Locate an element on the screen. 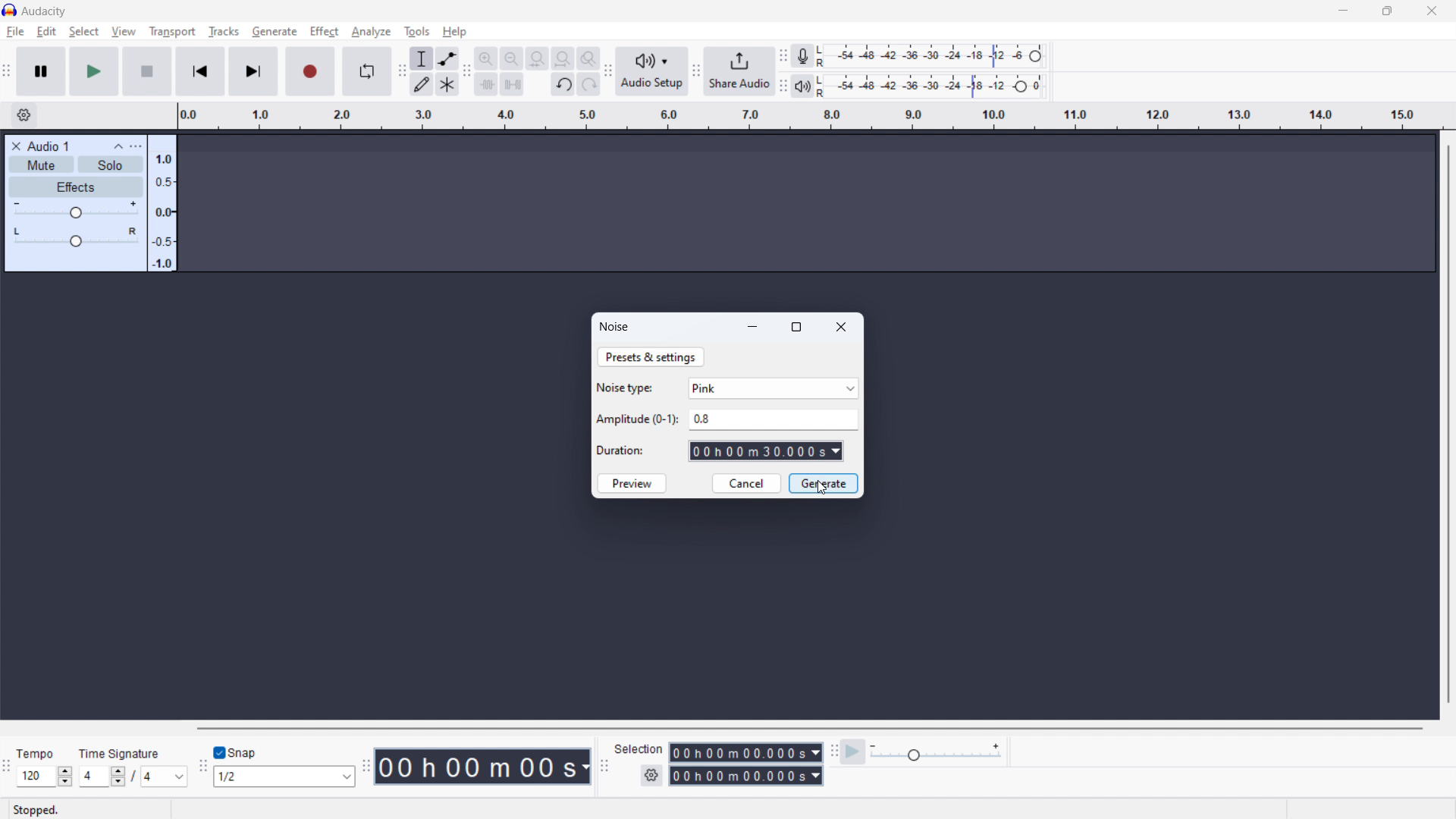 This screenshot has width=1456, height=819. edit toolbar is located at coordinates (467, 72).